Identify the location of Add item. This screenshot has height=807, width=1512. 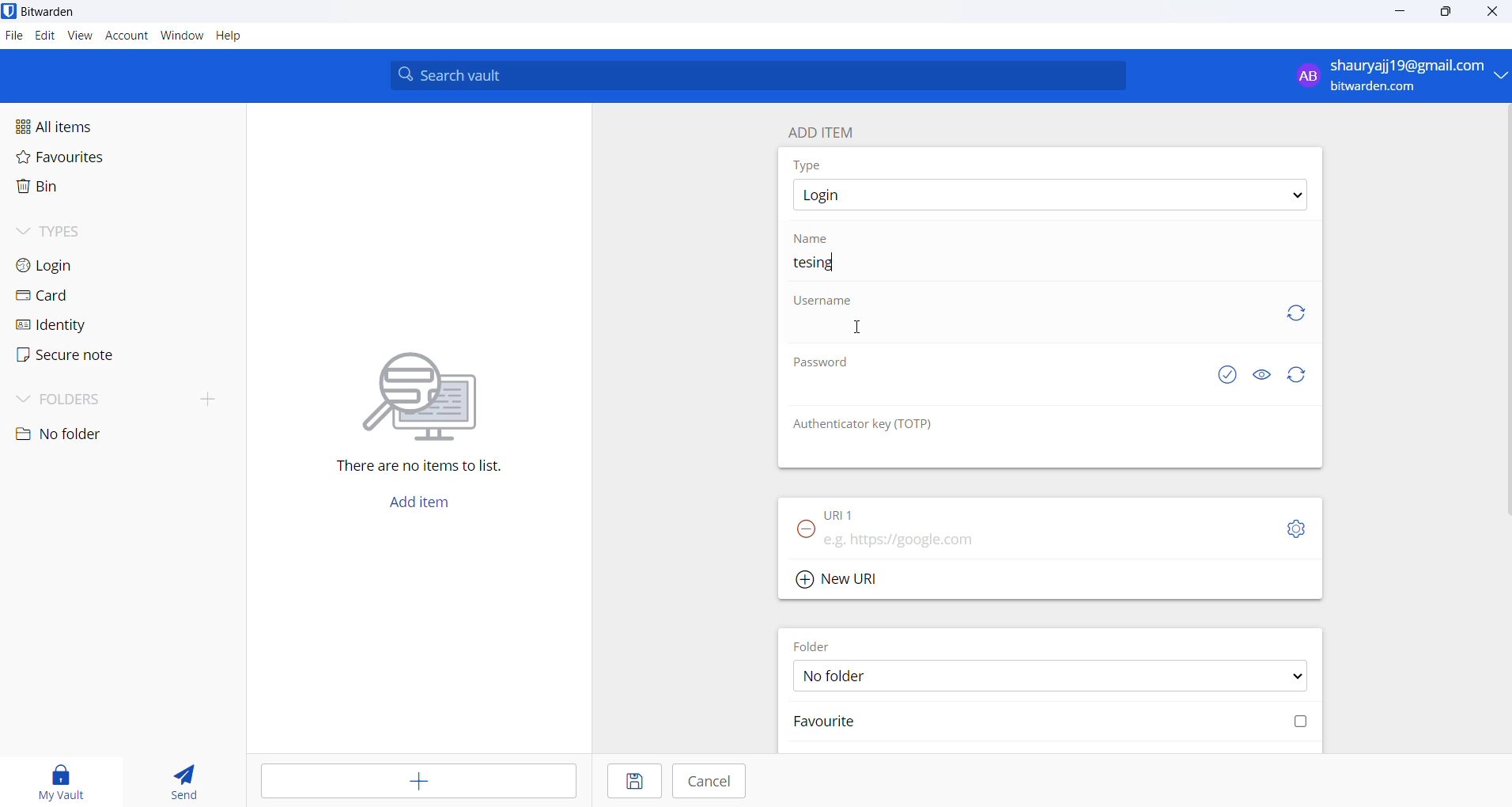
(418, 506).